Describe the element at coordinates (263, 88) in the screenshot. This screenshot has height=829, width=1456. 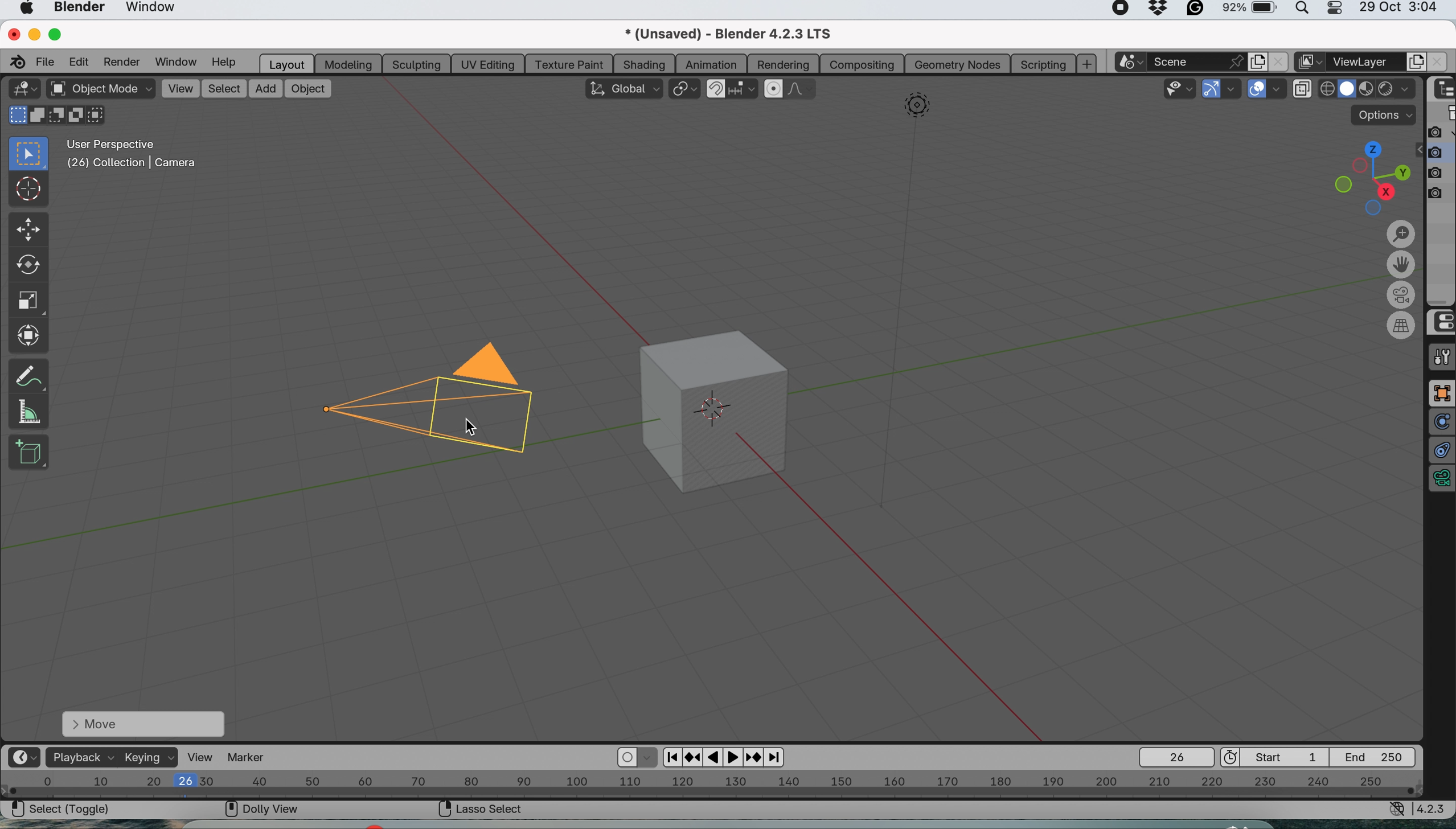
I see `add` at that location.